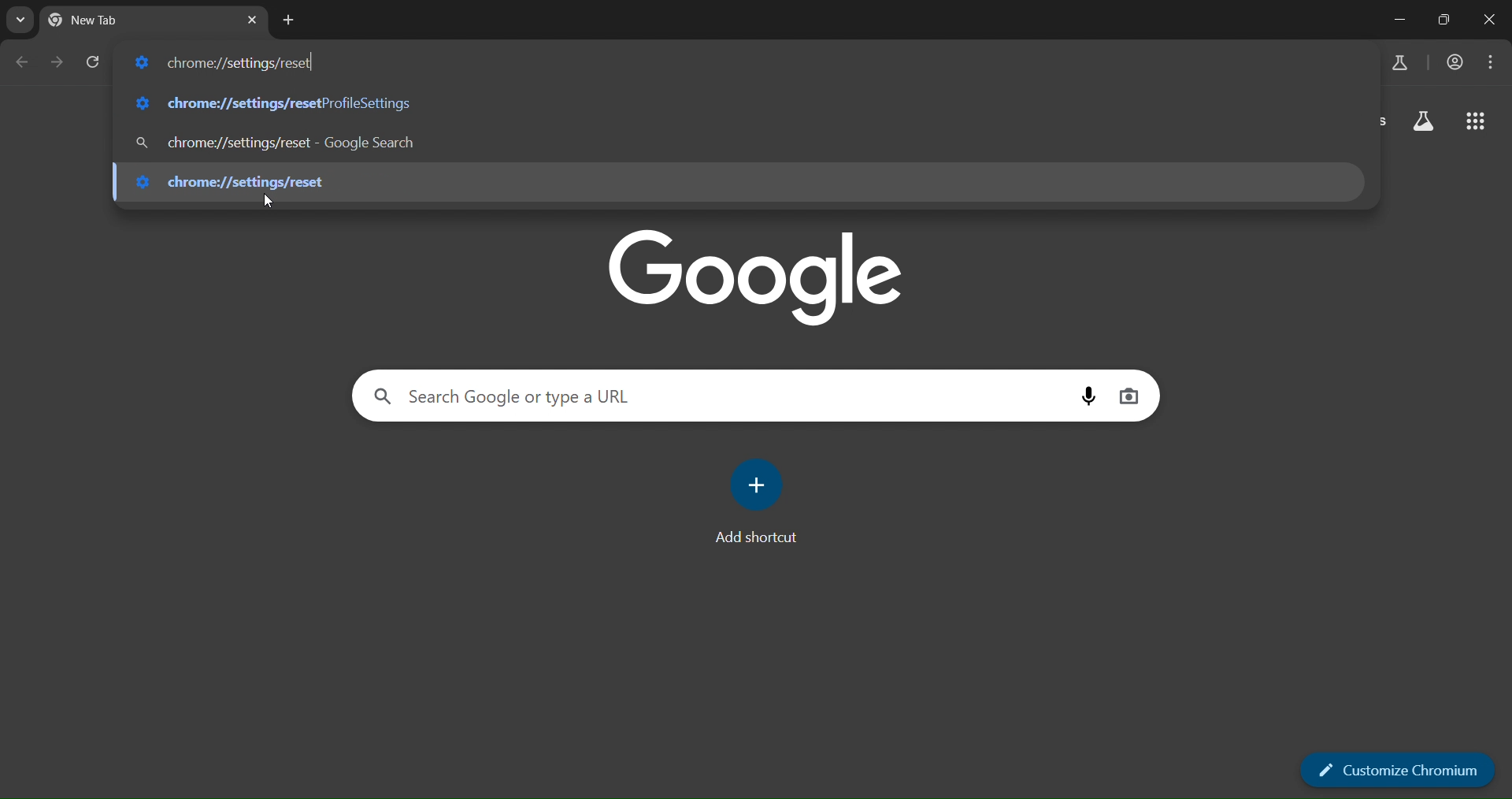 This screenshot has height=799, width=1512. What do you see at coordinates (280, 141) in the screenshot?
I see `chrome://settings/reset` at bounding box center [280, 141].